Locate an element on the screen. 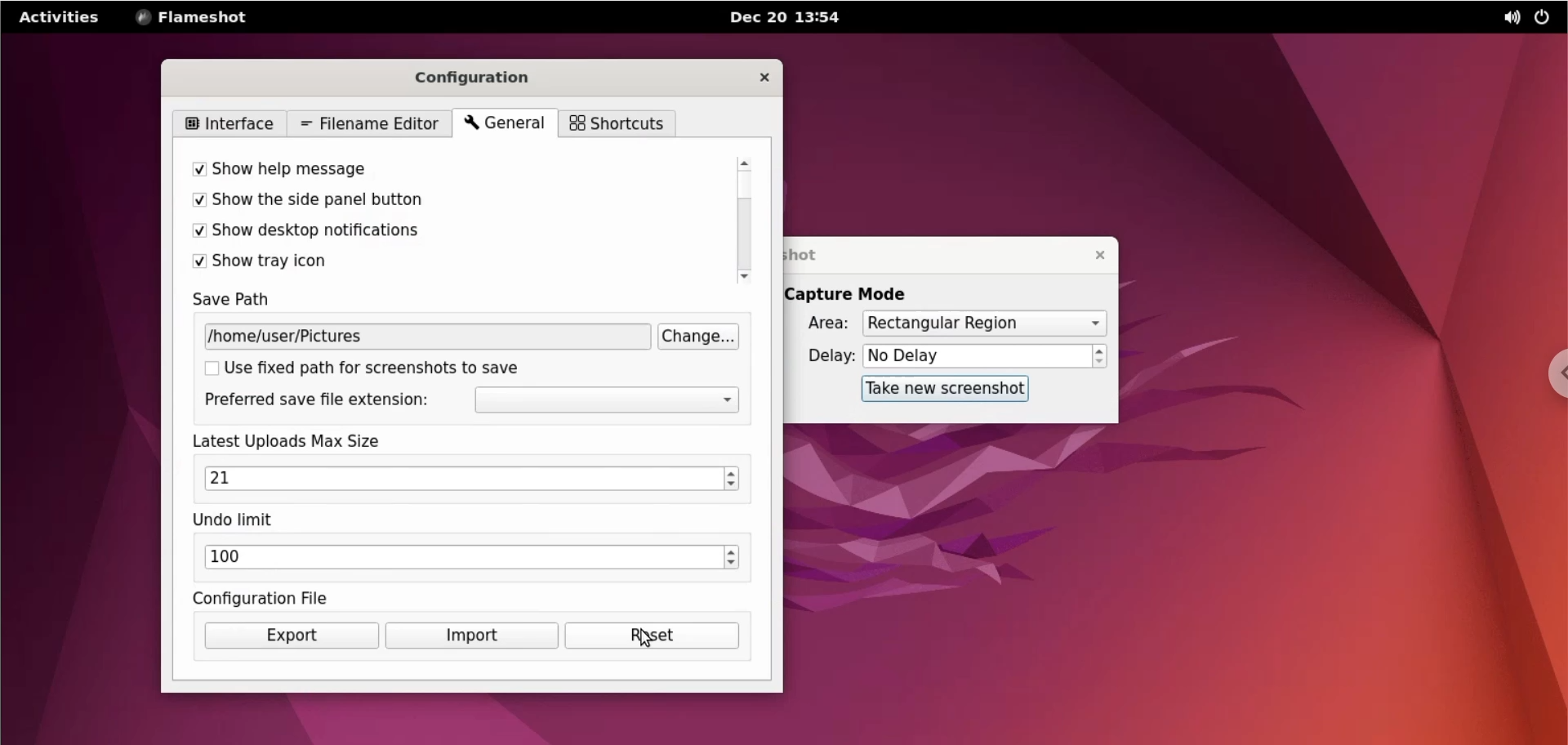 The height and width of the screenshot is (745, 1568). interface is located at coordinates (228, 123).